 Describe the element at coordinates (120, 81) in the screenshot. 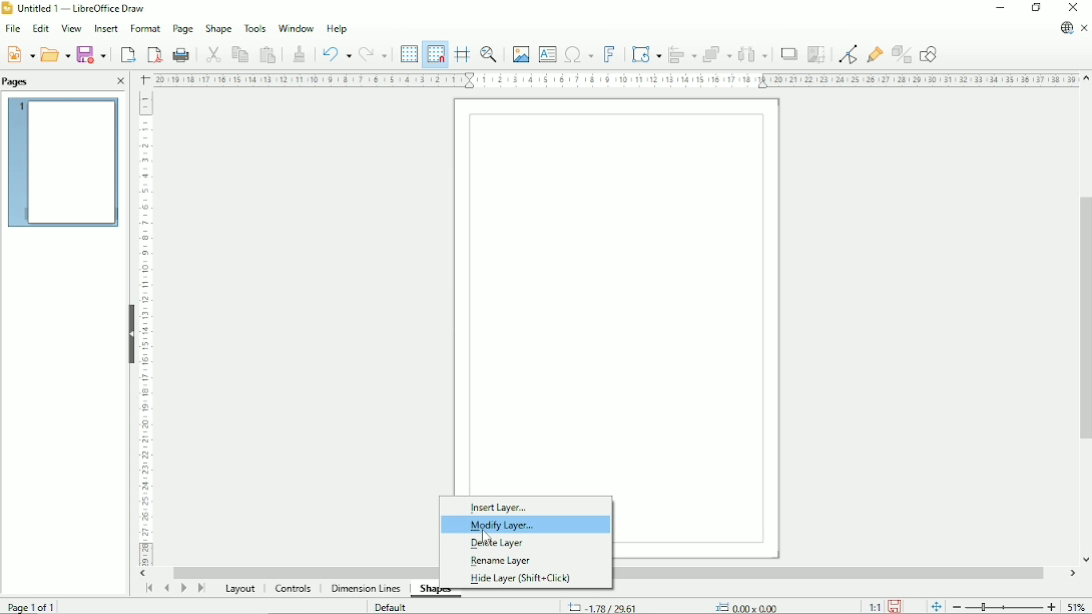

I see `Close` at that location.